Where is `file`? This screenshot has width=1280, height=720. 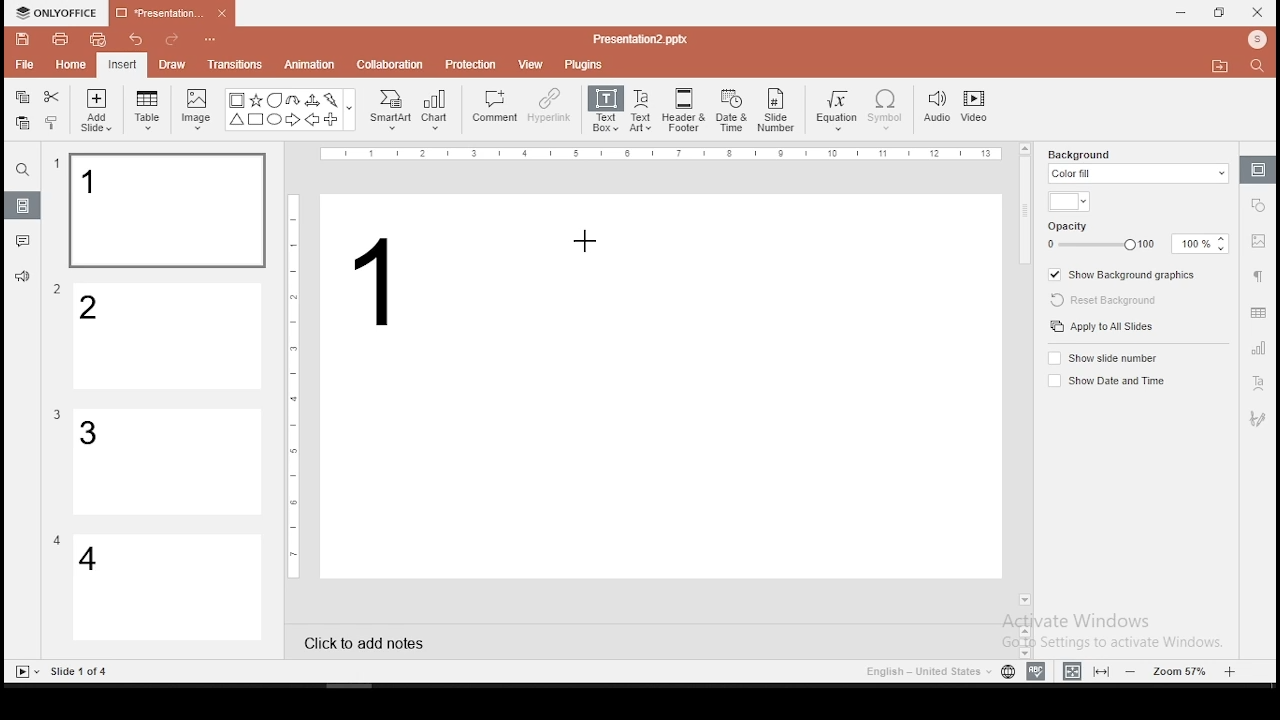 file is located at coordinates (24, 66).